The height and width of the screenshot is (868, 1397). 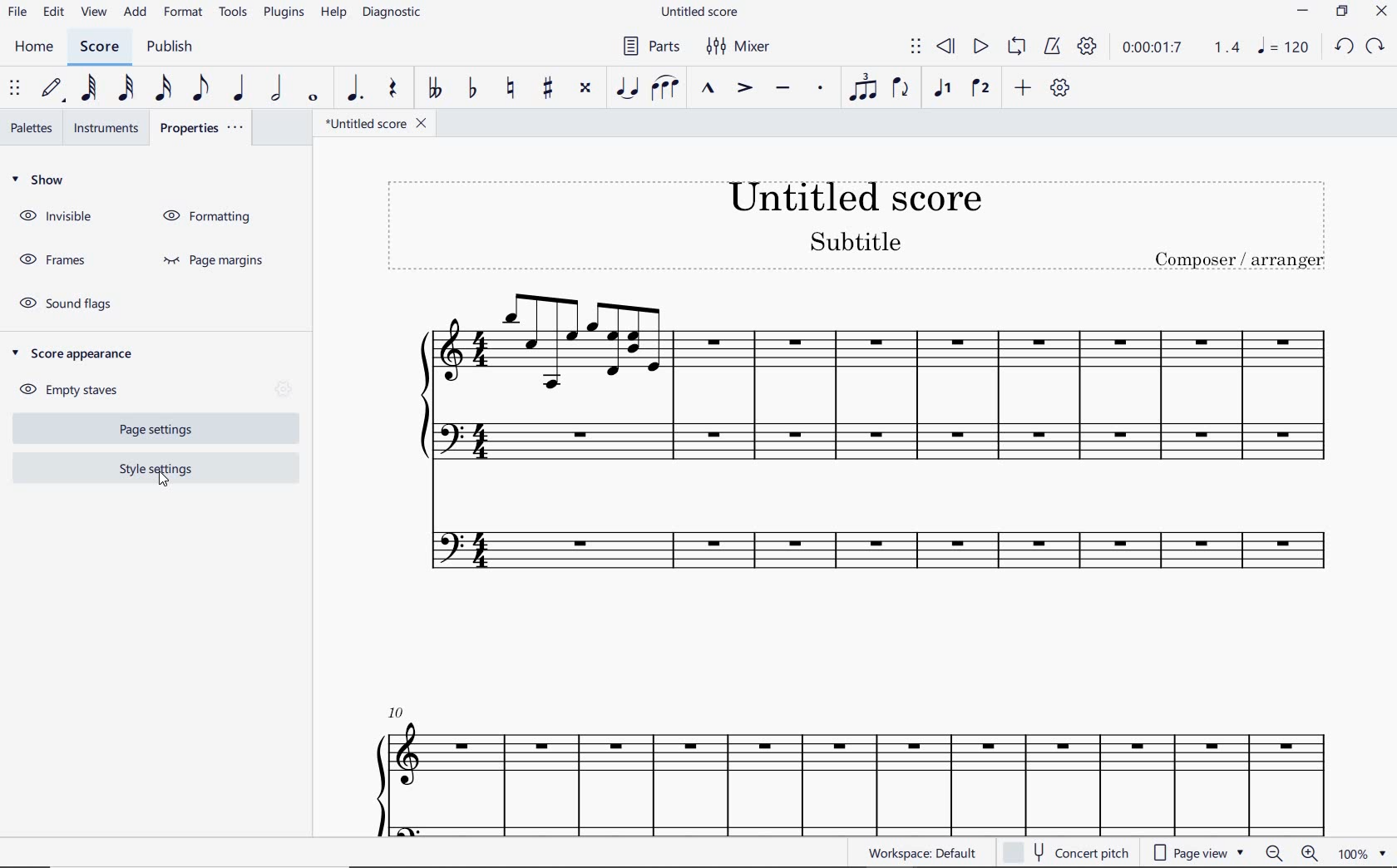 What do you see at coordinates (902, 89) in the screenshot?
I see `FLIP DIRECTION` at bounding box center [902, 89].